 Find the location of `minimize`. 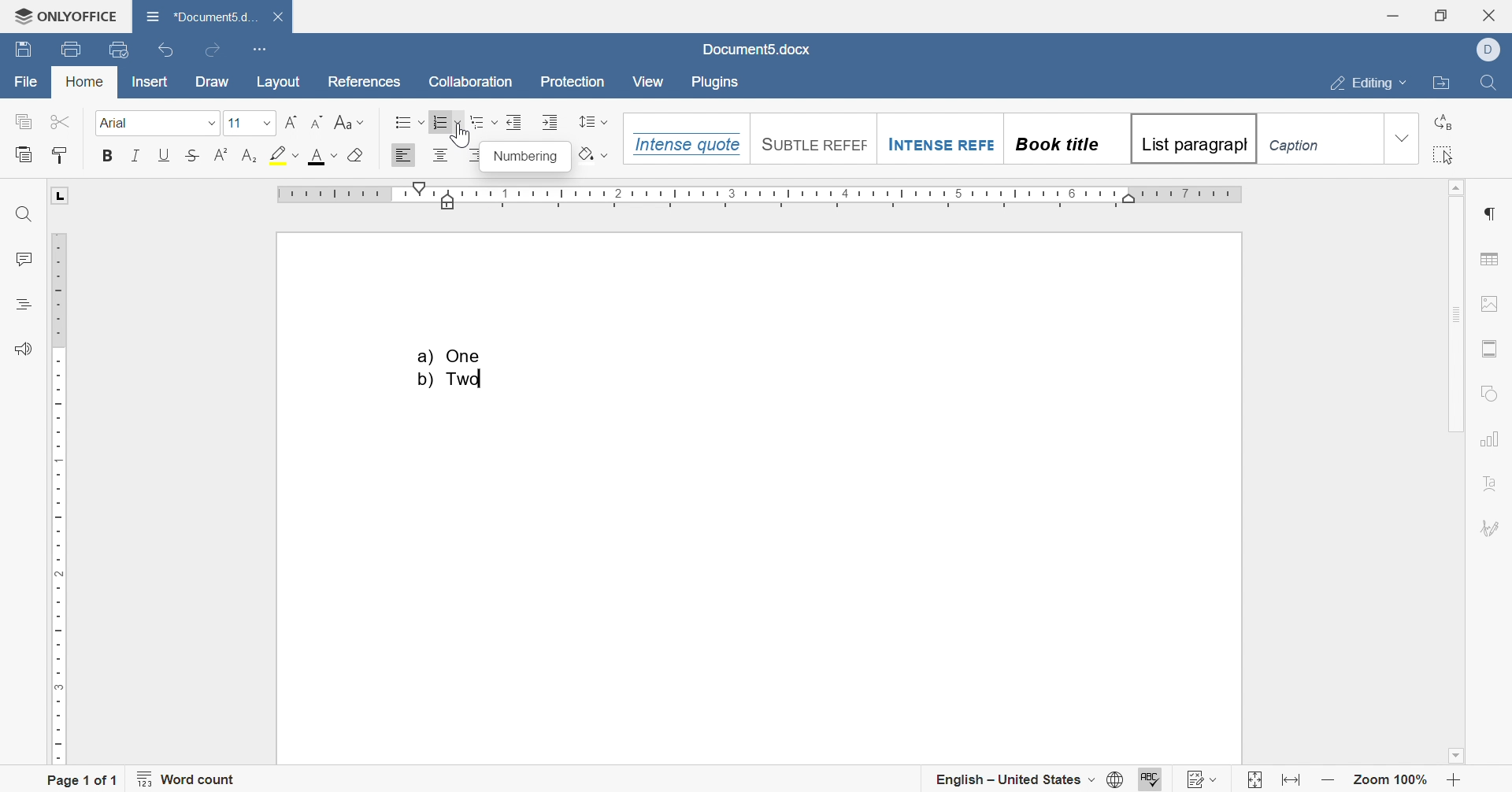

minimize is located at coordinates (1390, 17).